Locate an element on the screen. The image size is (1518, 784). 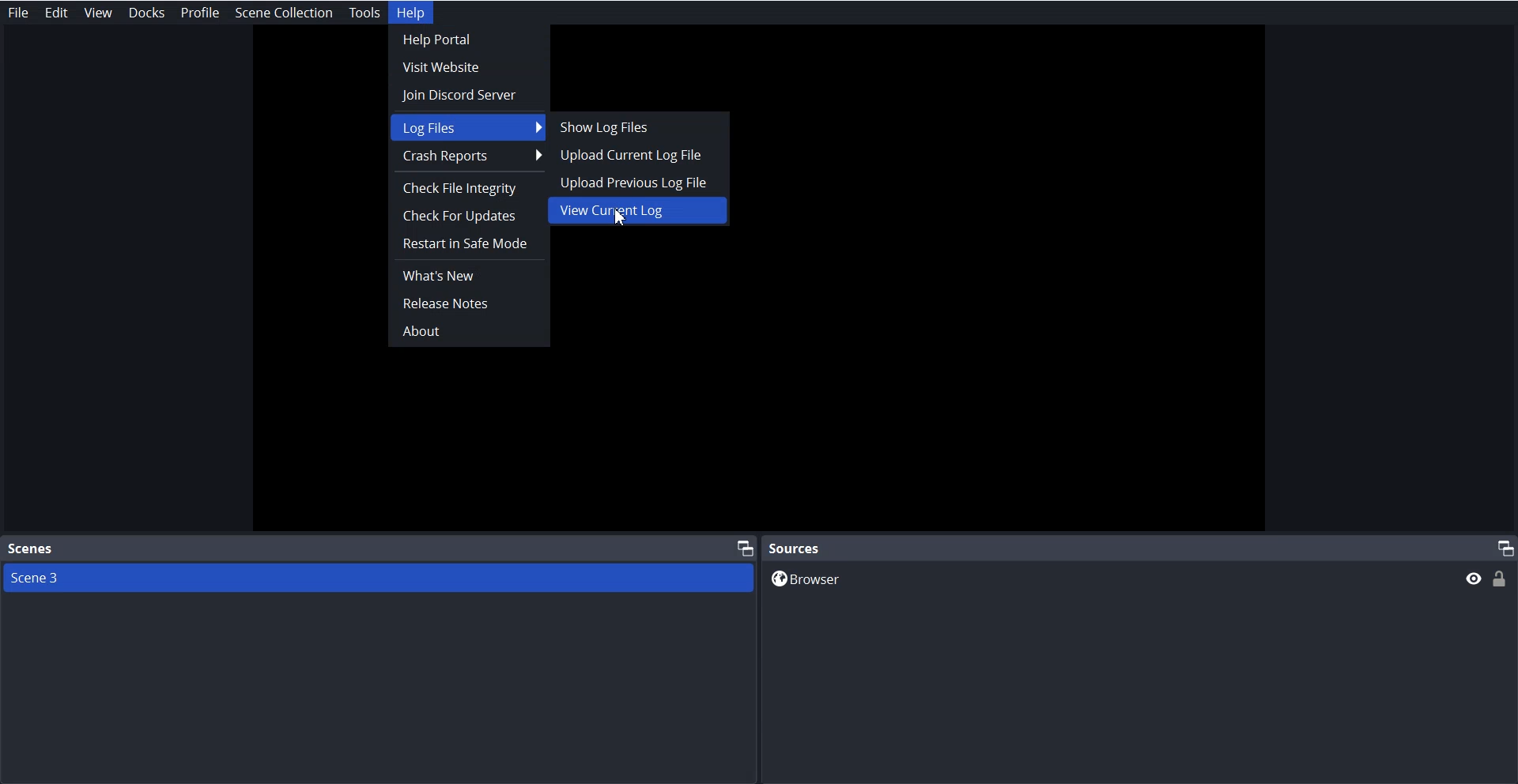
Restart in Safe Mode is located at coordinates (467, 243).